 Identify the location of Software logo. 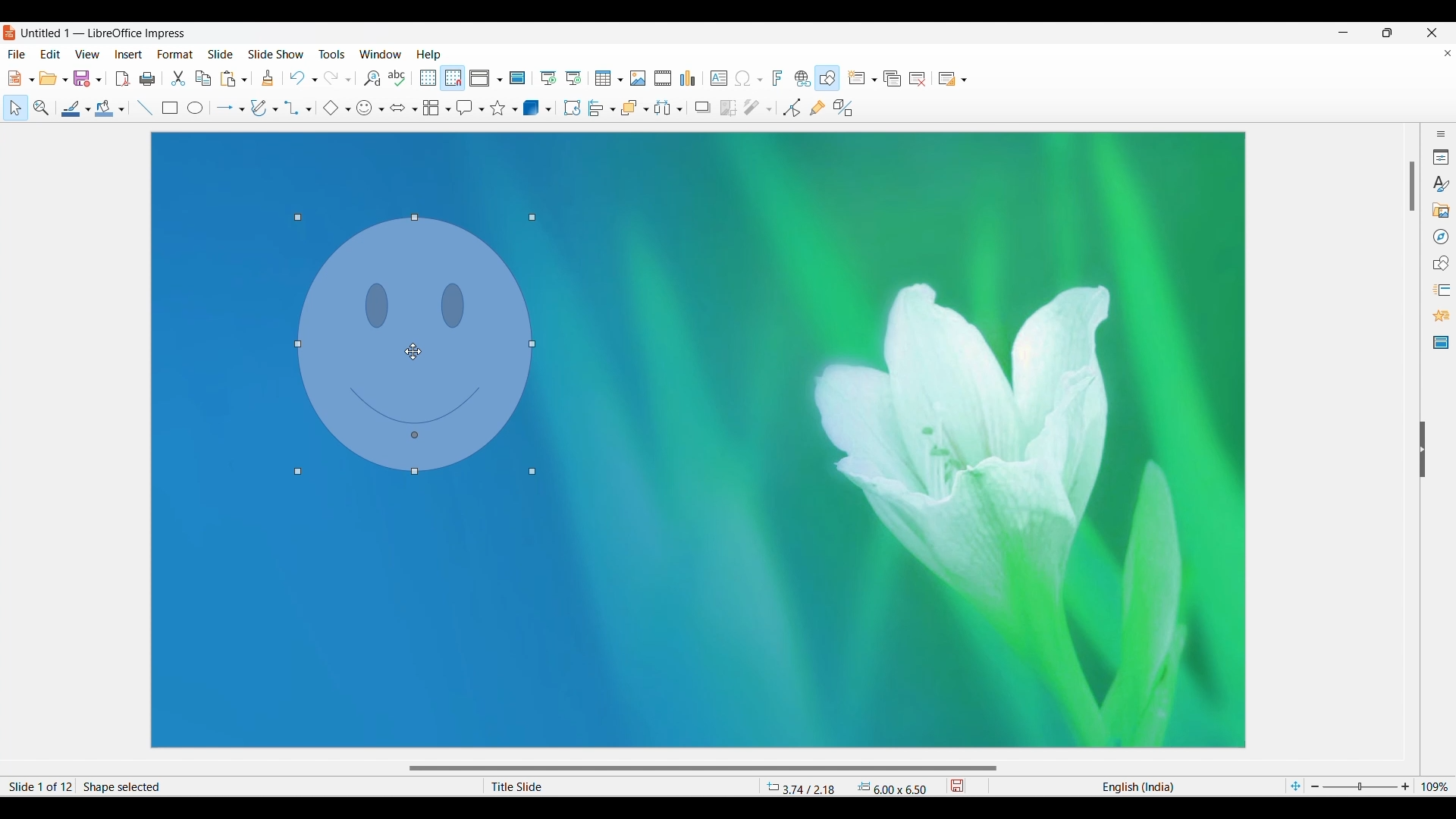
(10, 33).